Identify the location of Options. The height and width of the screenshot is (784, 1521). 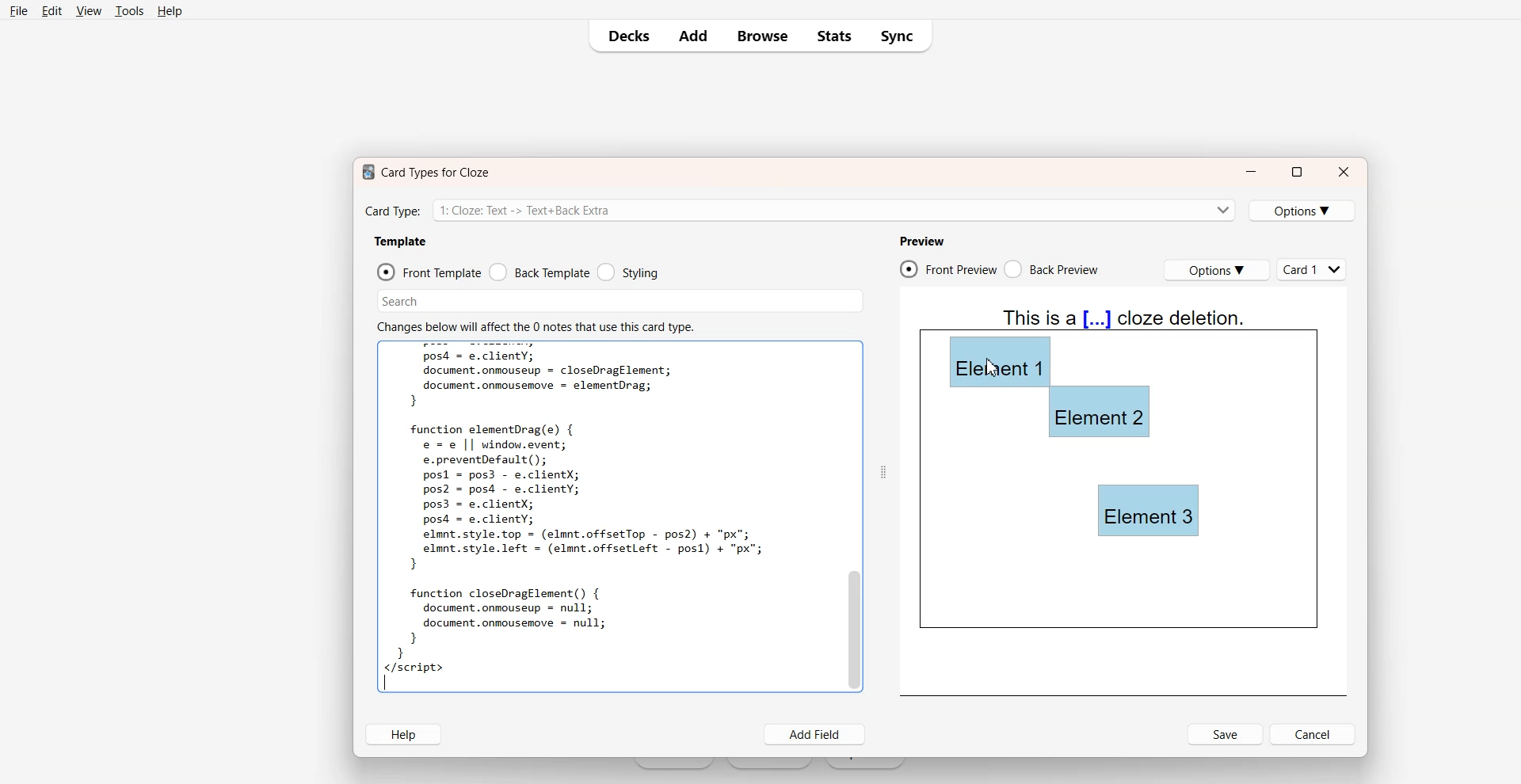
(1216, 270).